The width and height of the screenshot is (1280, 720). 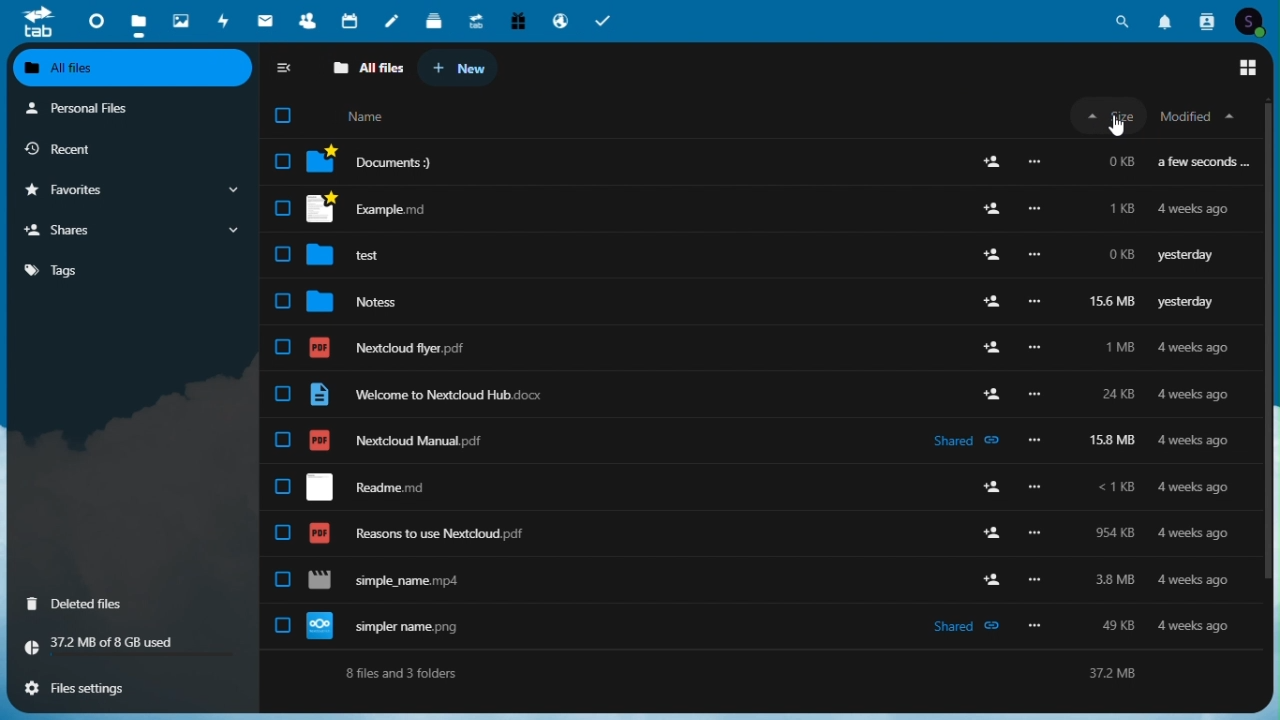 What do you see at coordinates (756, 398) in the screenshot?
I see `Welcome to Nextcloud Hub docx` at bounding box center [756, 398].